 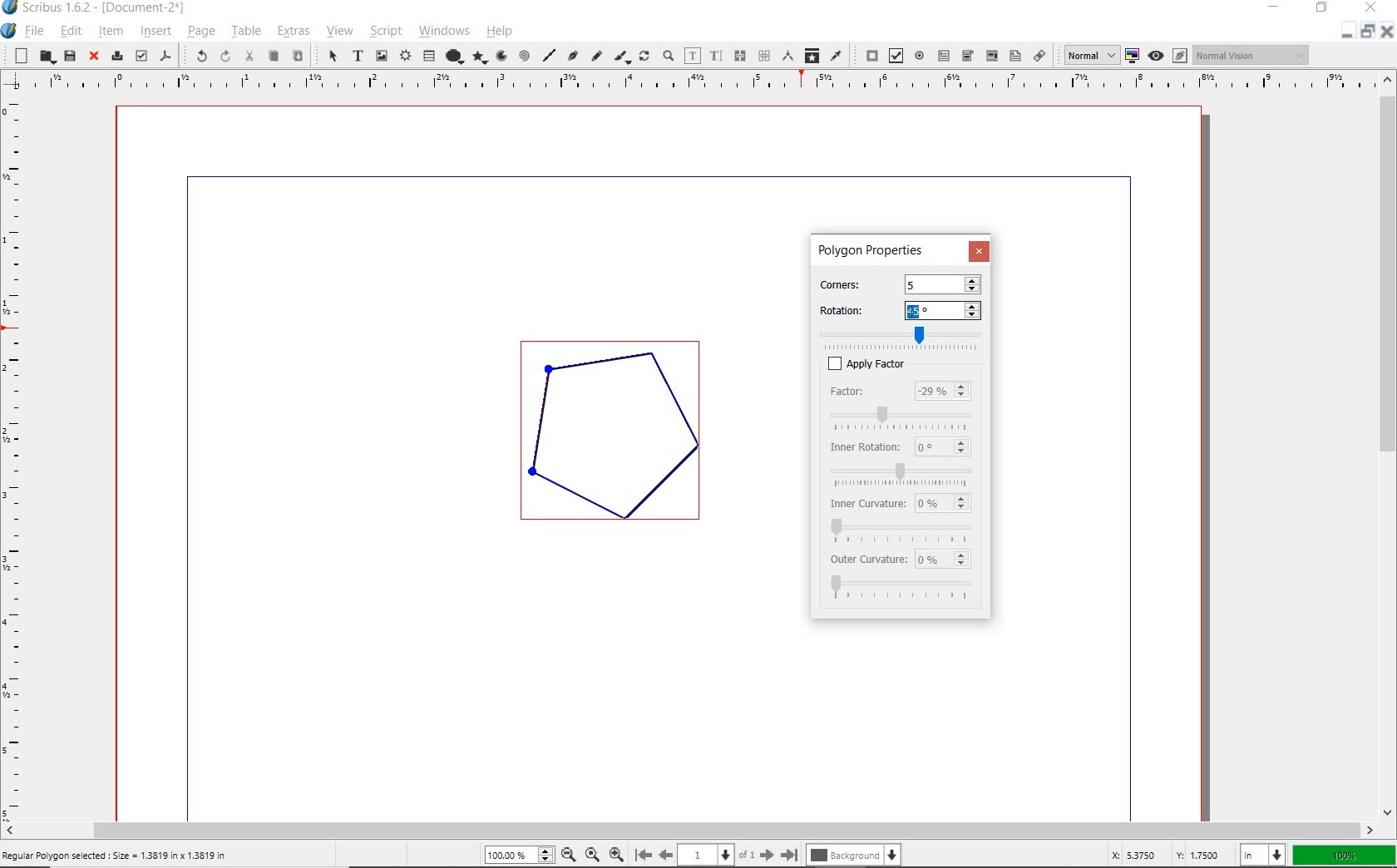 What do you see at coordinates (941, 284) in the screenshot?
I see `Input corners` at bounding box center [941, 284].